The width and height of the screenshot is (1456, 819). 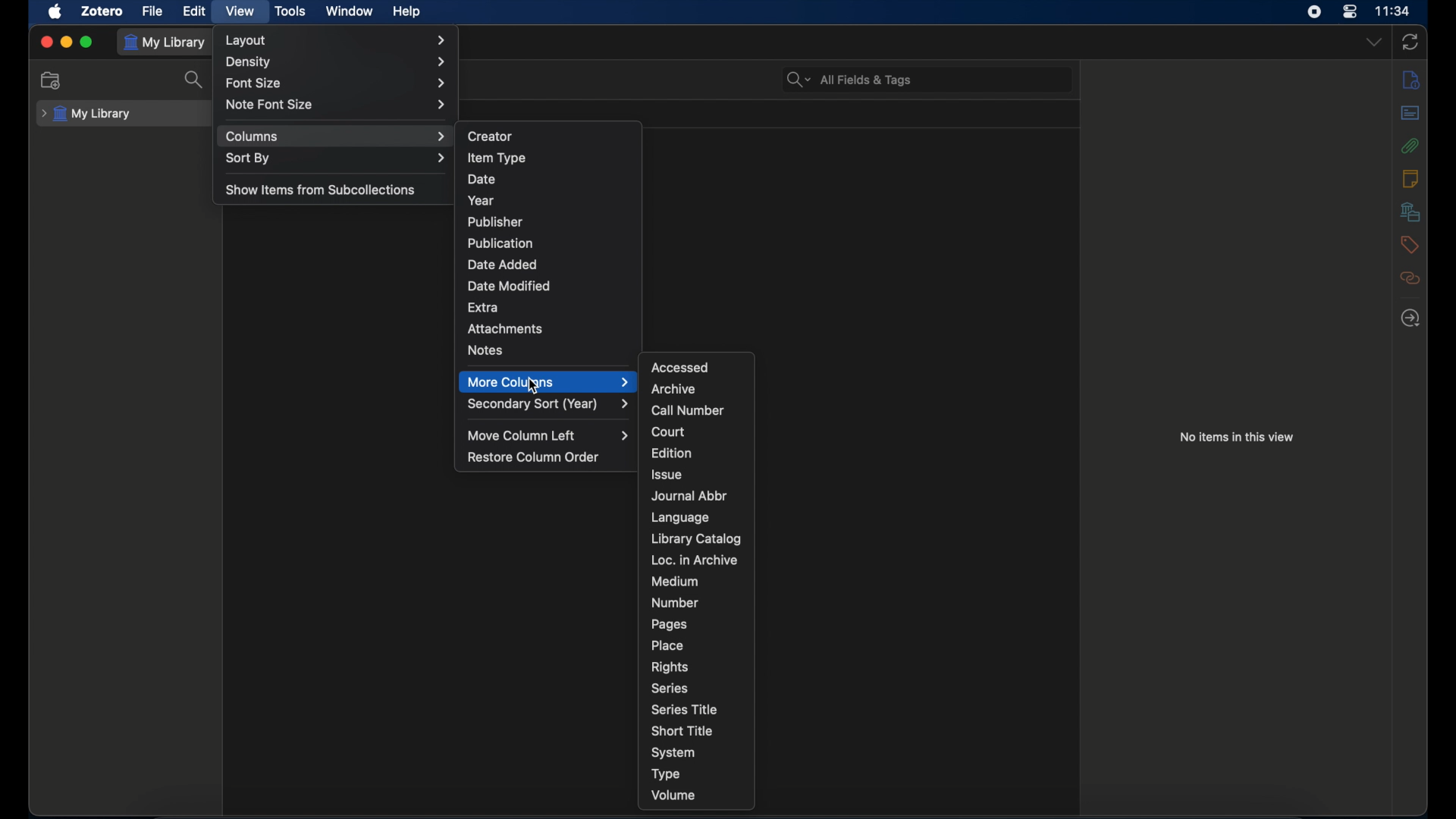 I want to click on loc. in archive, so click(x=693, y=560).